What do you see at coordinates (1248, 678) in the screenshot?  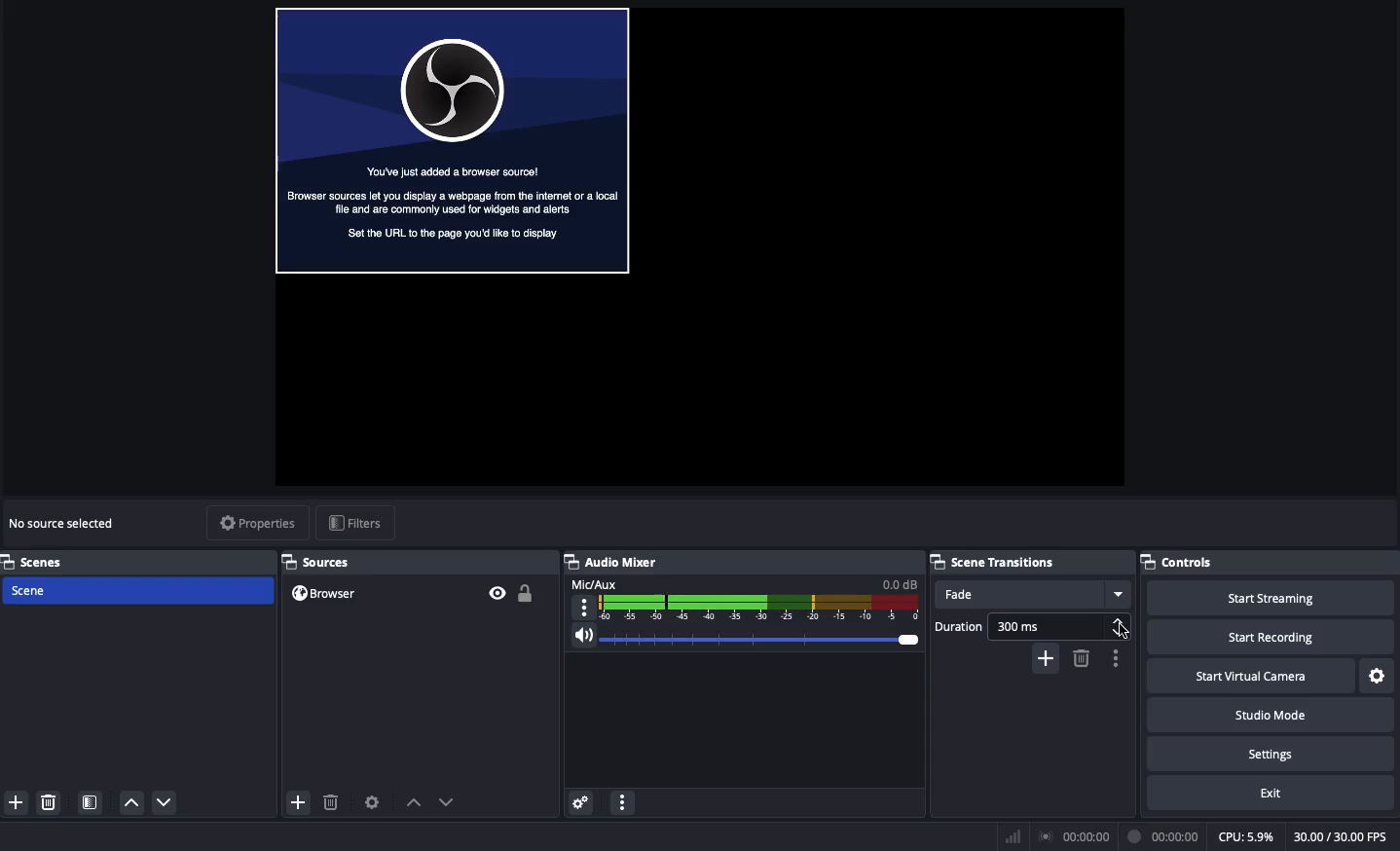 I see `Start virtual camera` at bounding box center [1248, 678].